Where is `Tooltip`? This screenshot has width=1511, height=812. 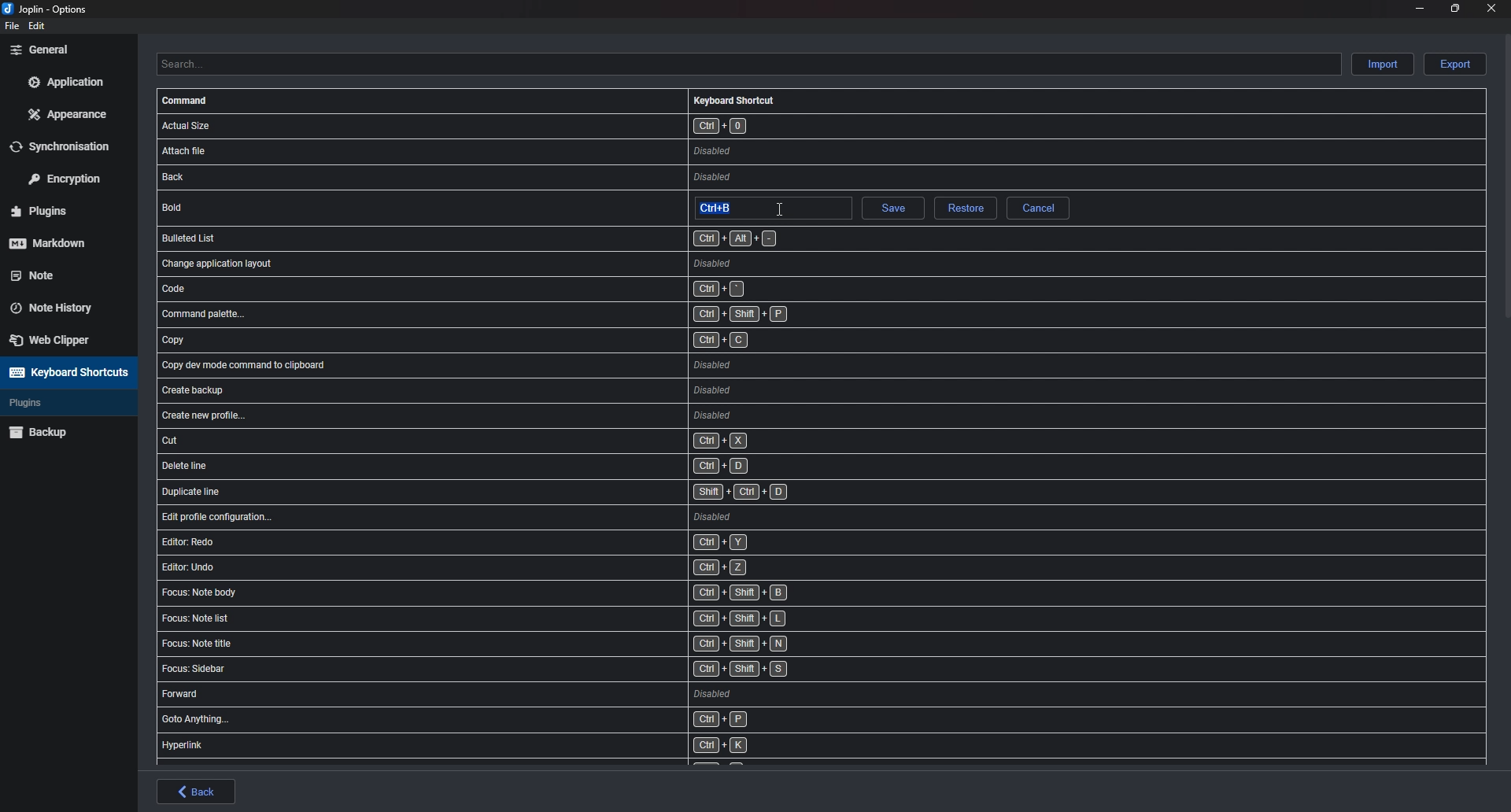 Tooltip is located at coordinates (970, 230).